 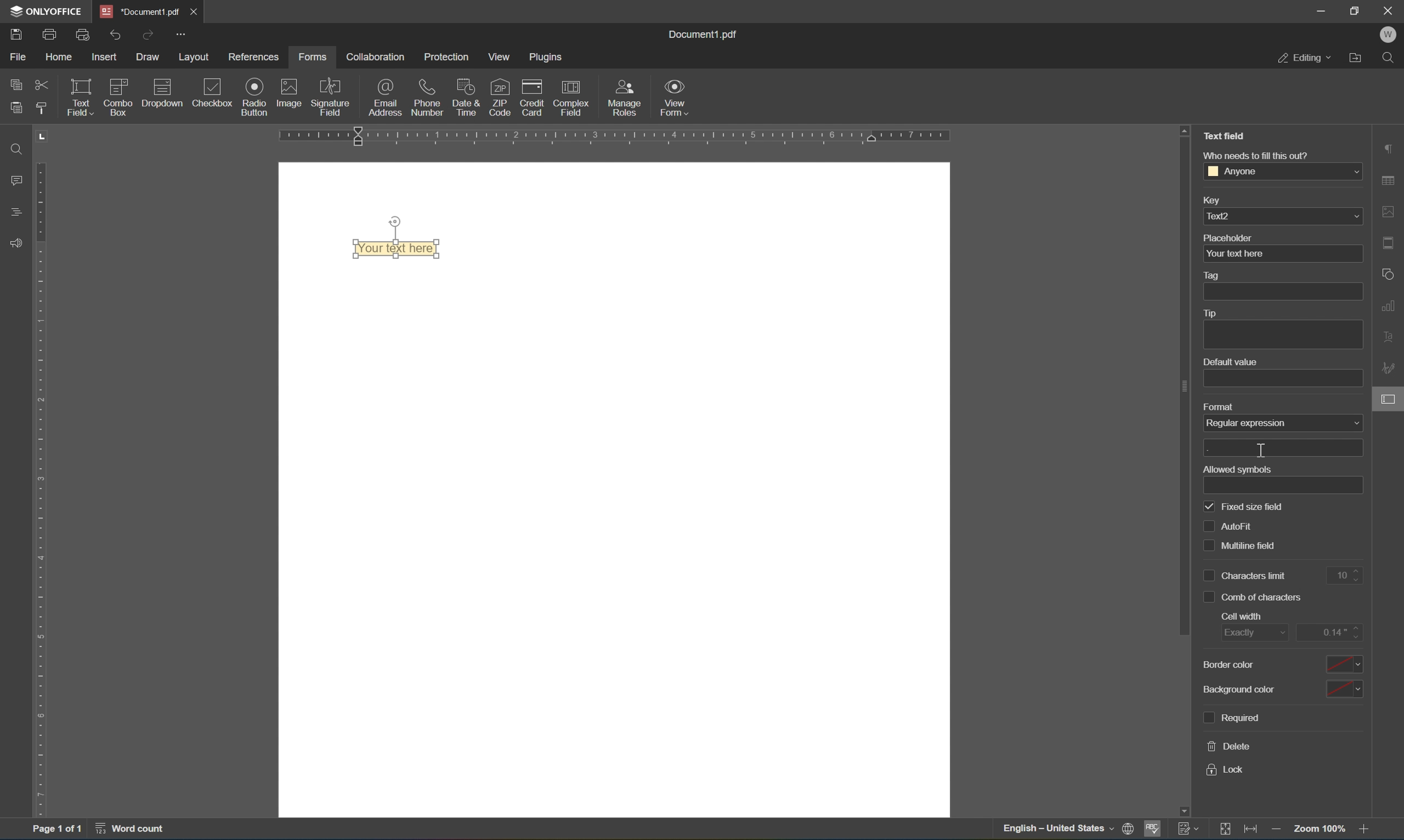 I want to click on page 1 of 1, so click(x=57, y=831).